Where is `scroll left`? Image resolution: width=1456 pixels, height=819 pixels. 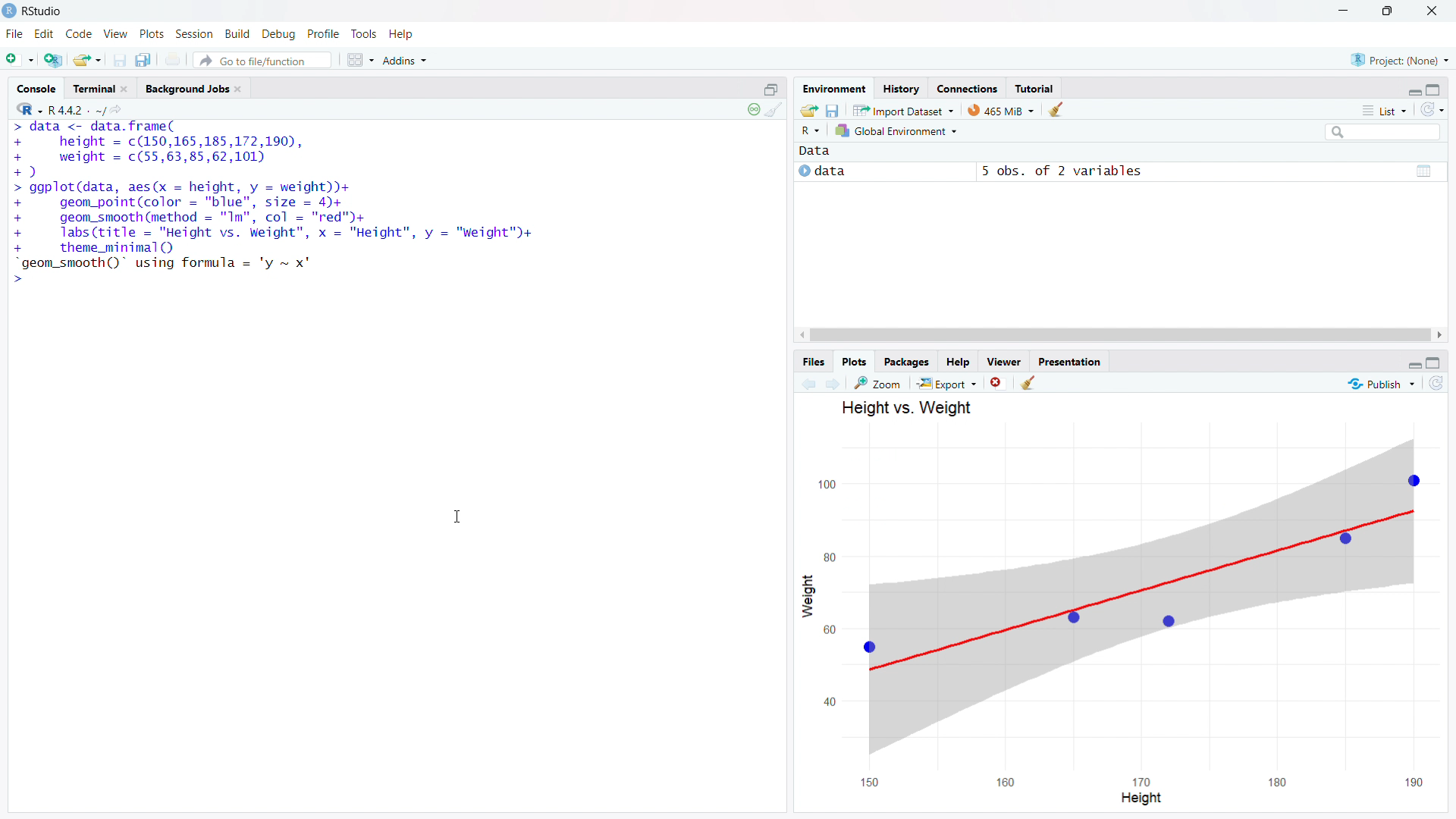
scroll left is located at coordinates (802, 335).